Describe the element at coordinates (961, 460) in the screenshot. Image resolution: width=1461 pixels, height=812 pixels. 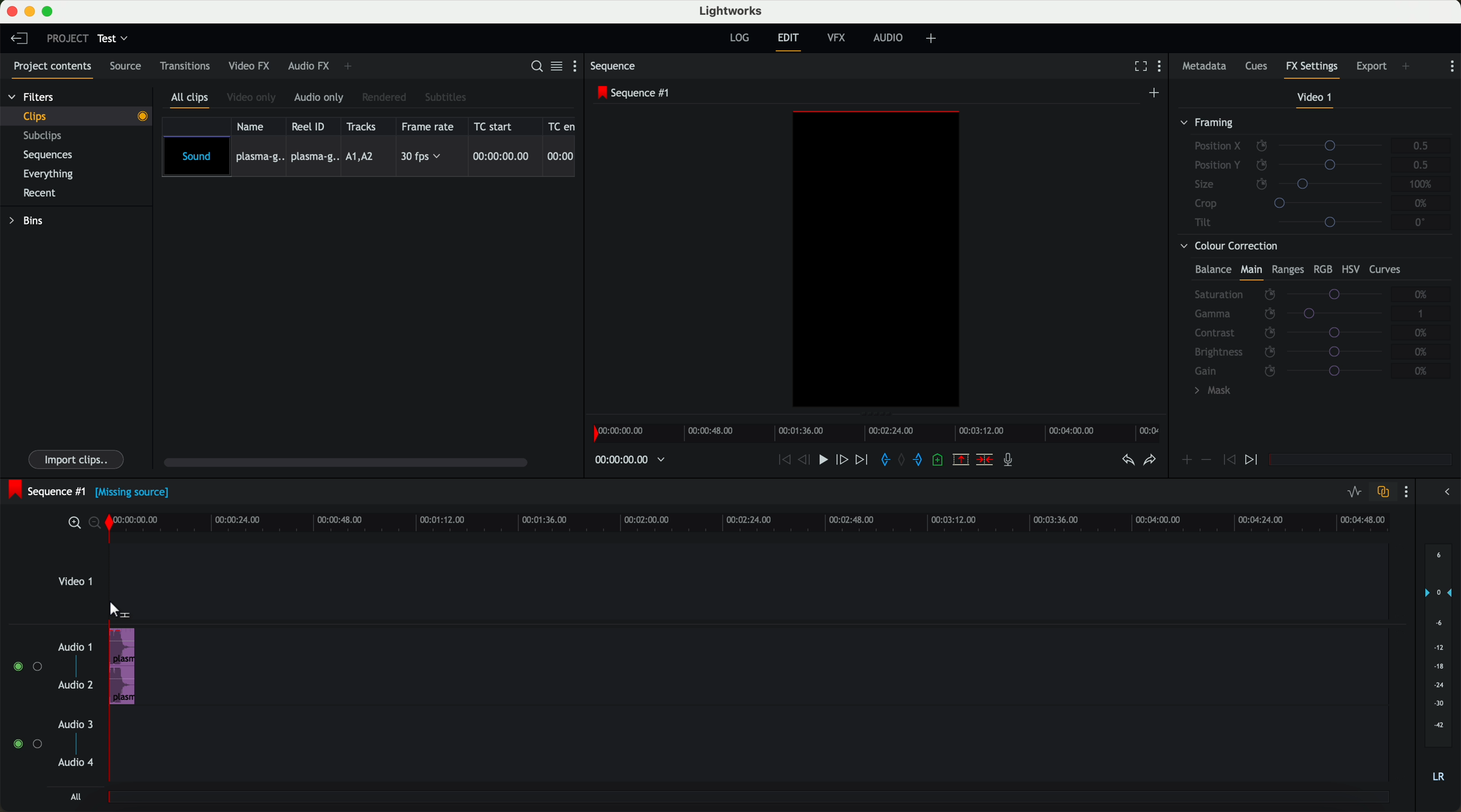
I see `remove the marked section` at that location.